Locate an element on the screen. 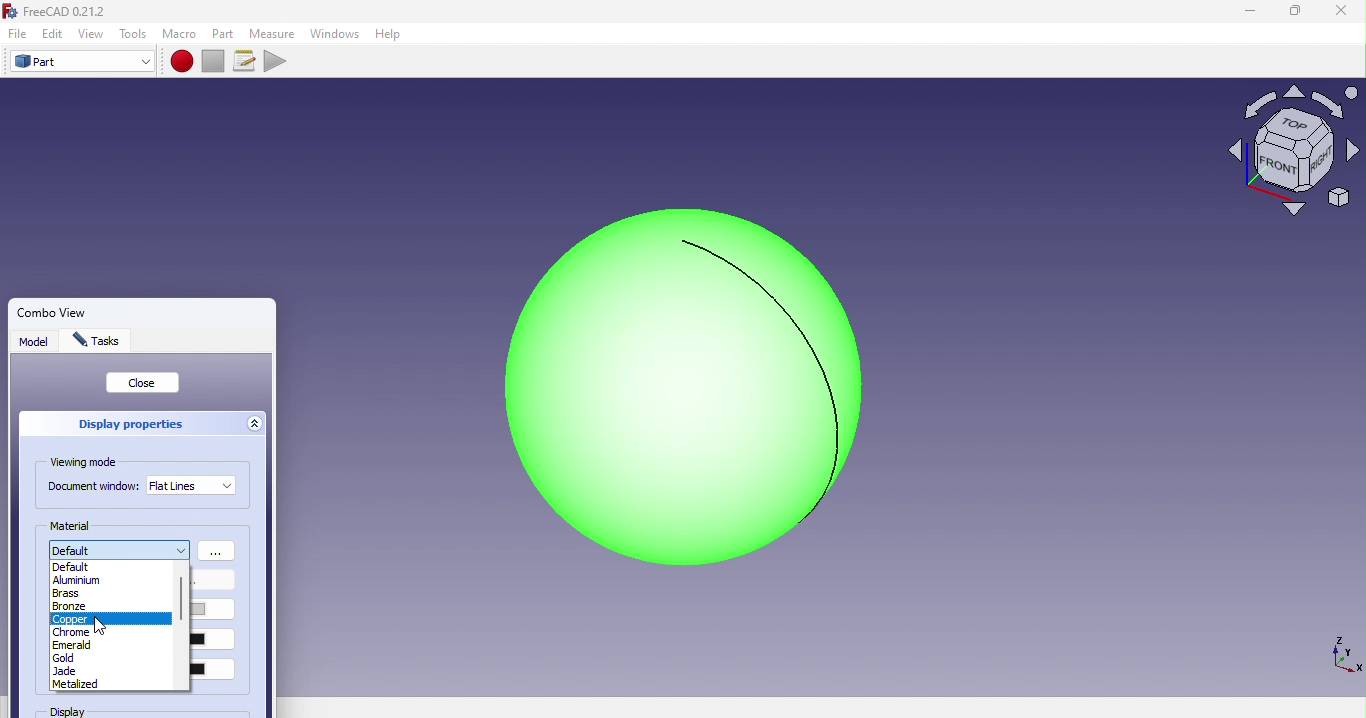 The image size is (1366, 718). Macro recording is located at coordinates (183, 61).